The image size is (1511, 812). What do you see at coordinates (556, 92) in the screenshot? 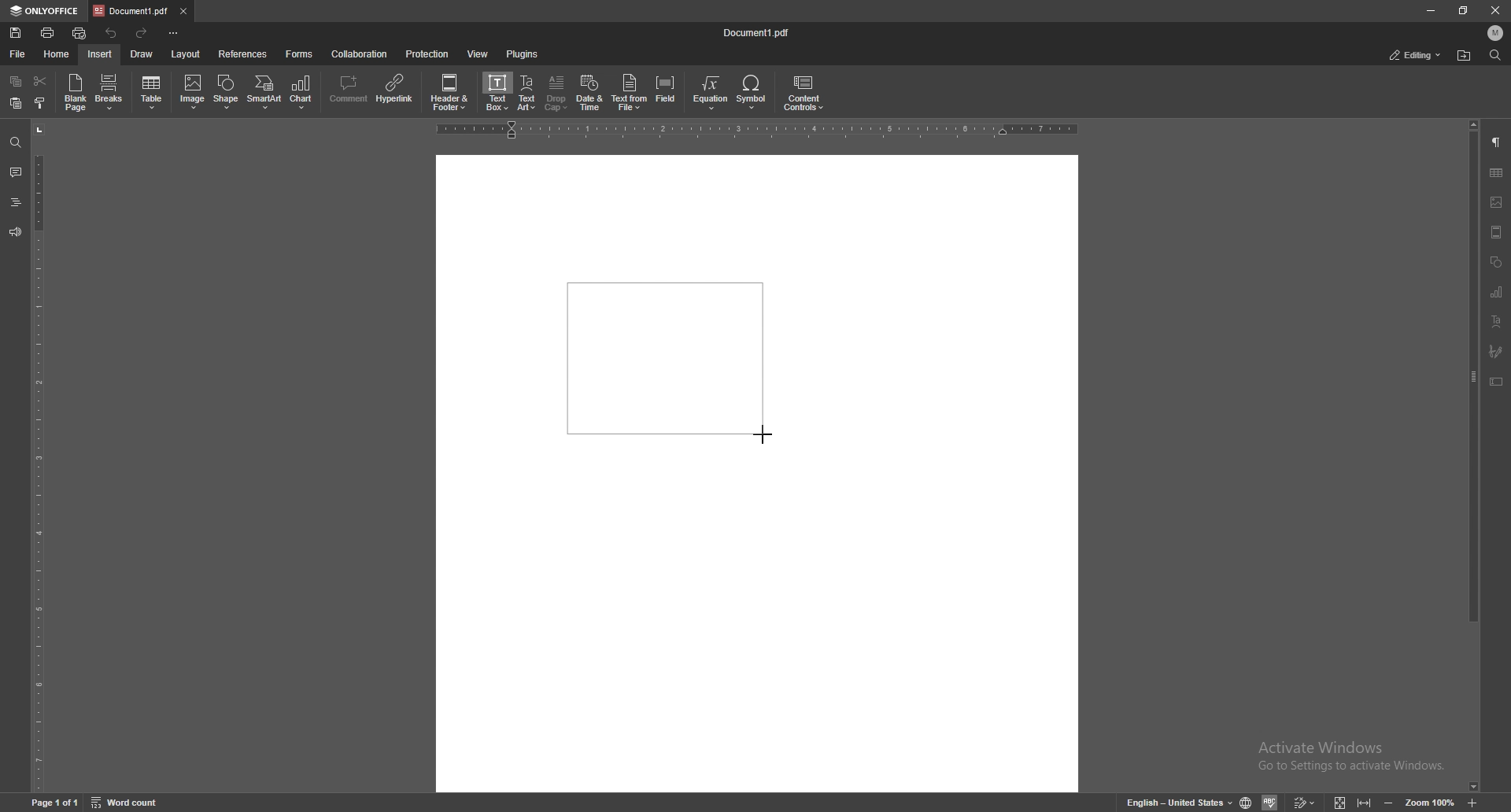
I see `drop cap` at bounding box center [556, 92].